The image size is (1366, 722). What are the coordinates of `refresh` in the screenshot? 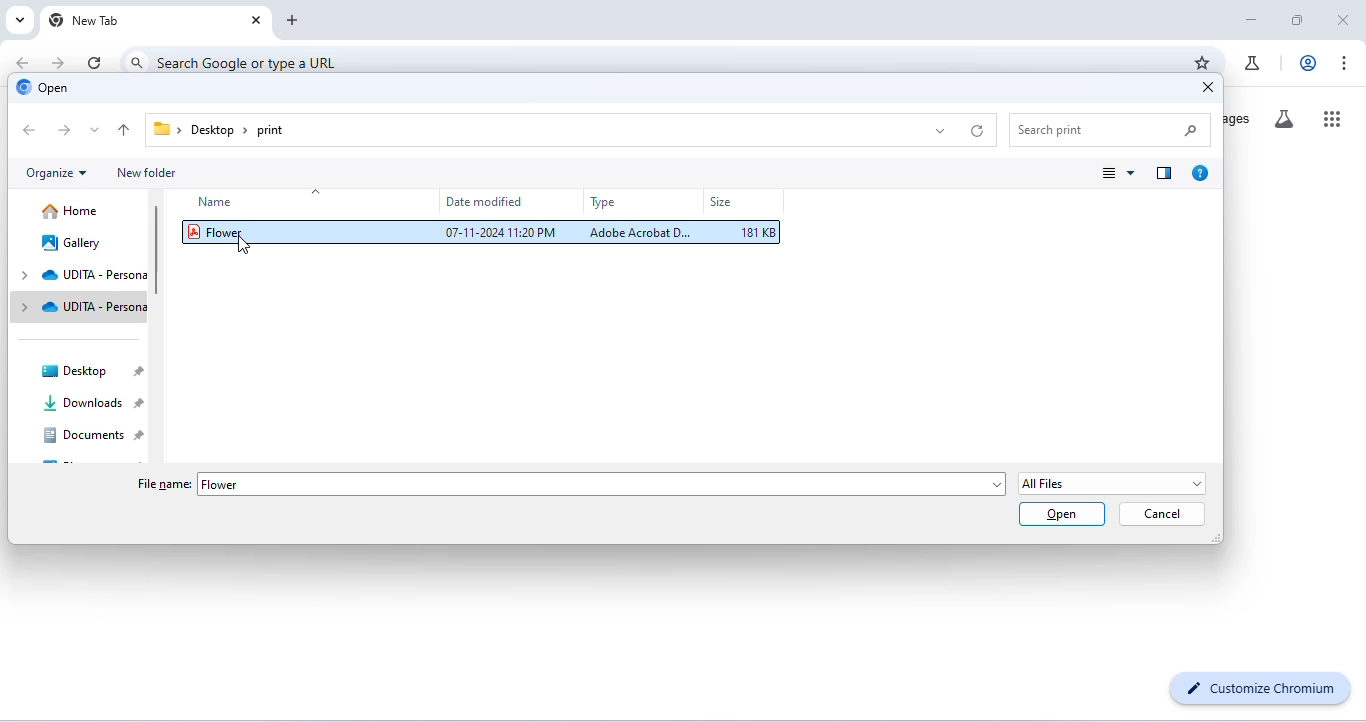 It's located at (979, 132).